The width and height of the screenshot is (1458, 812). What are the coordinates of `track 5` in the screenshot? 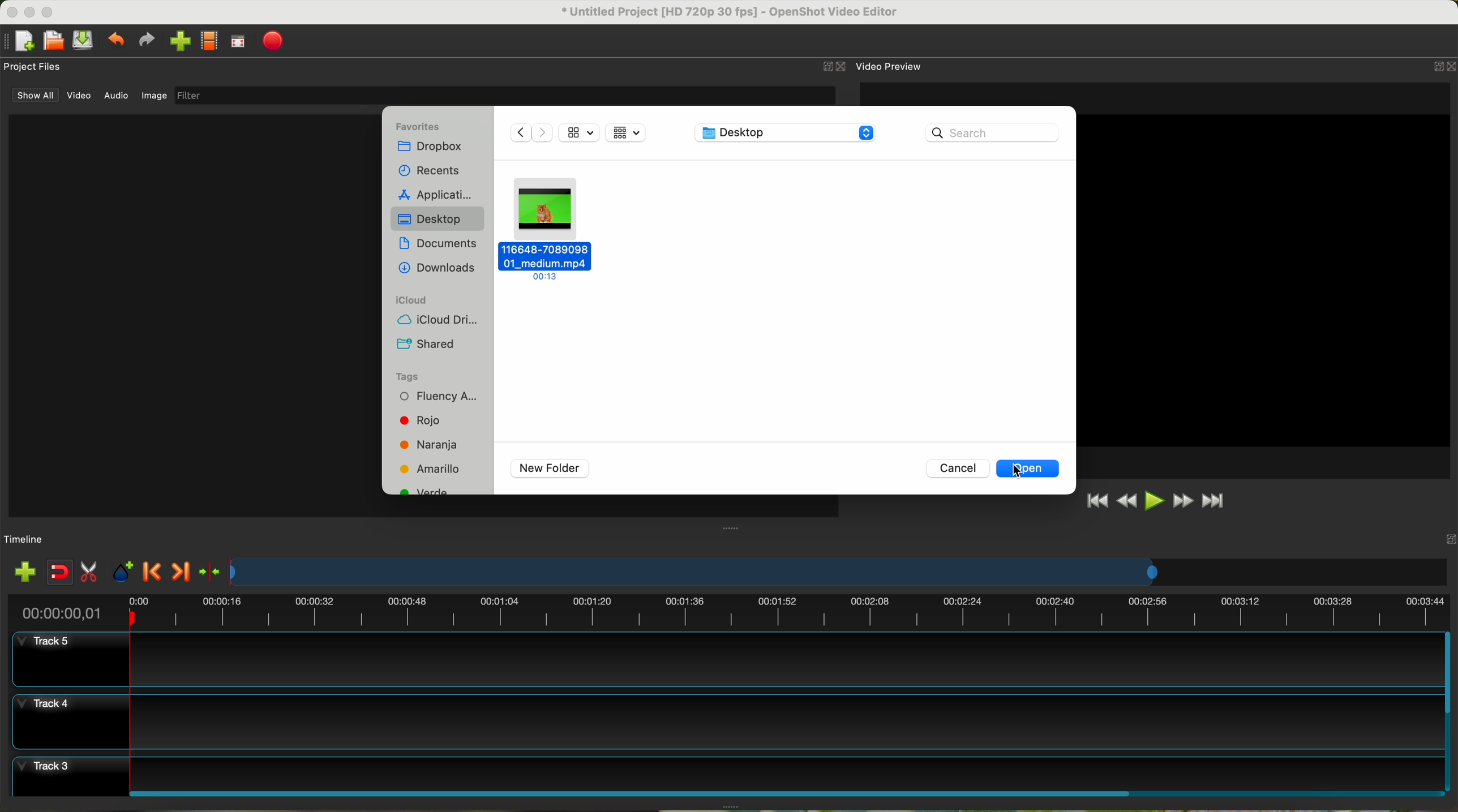 It's located at (730, 660).